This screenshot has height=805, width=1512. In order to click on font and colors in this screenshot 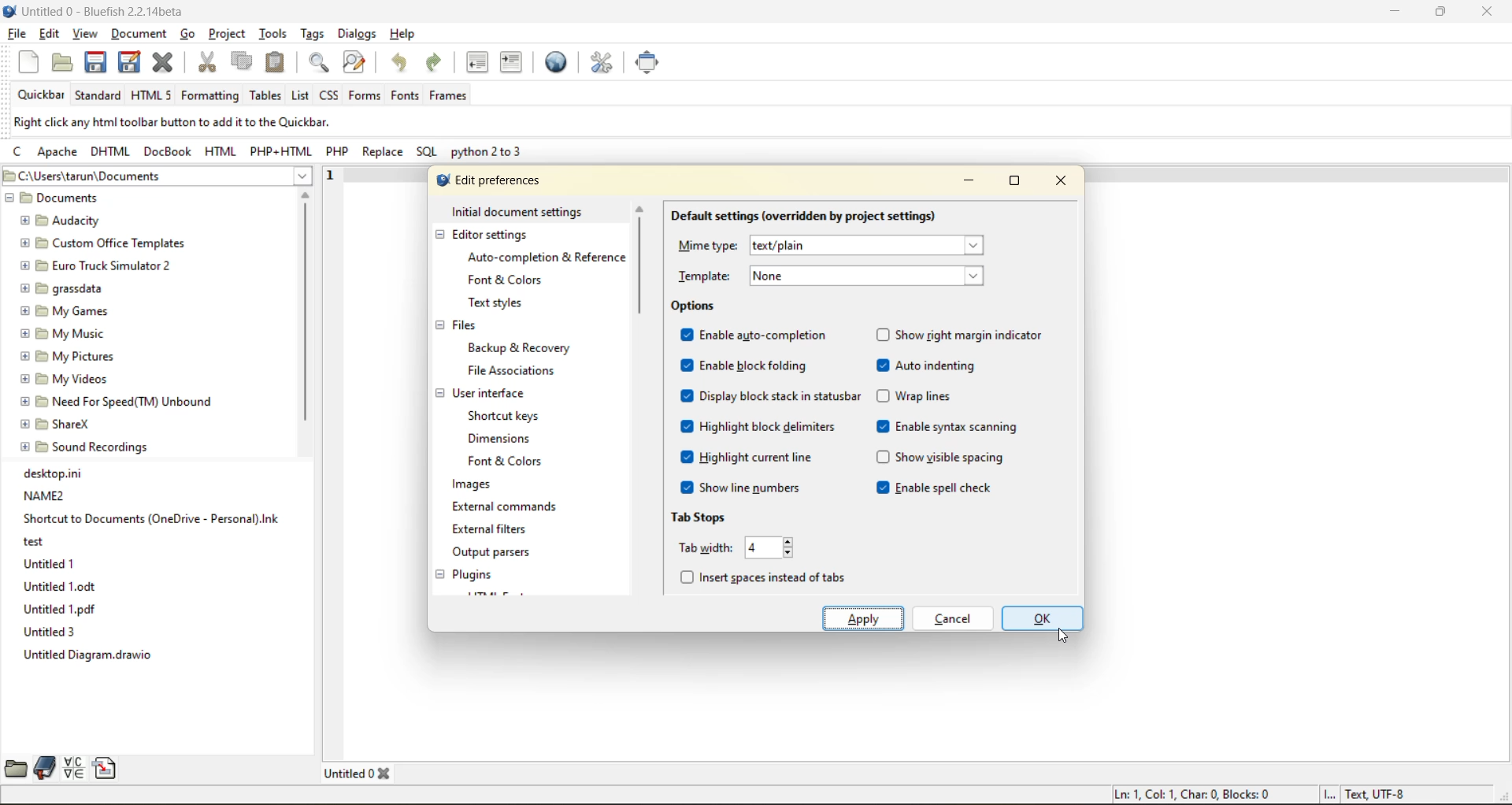, I will do `click(510, 462)`.